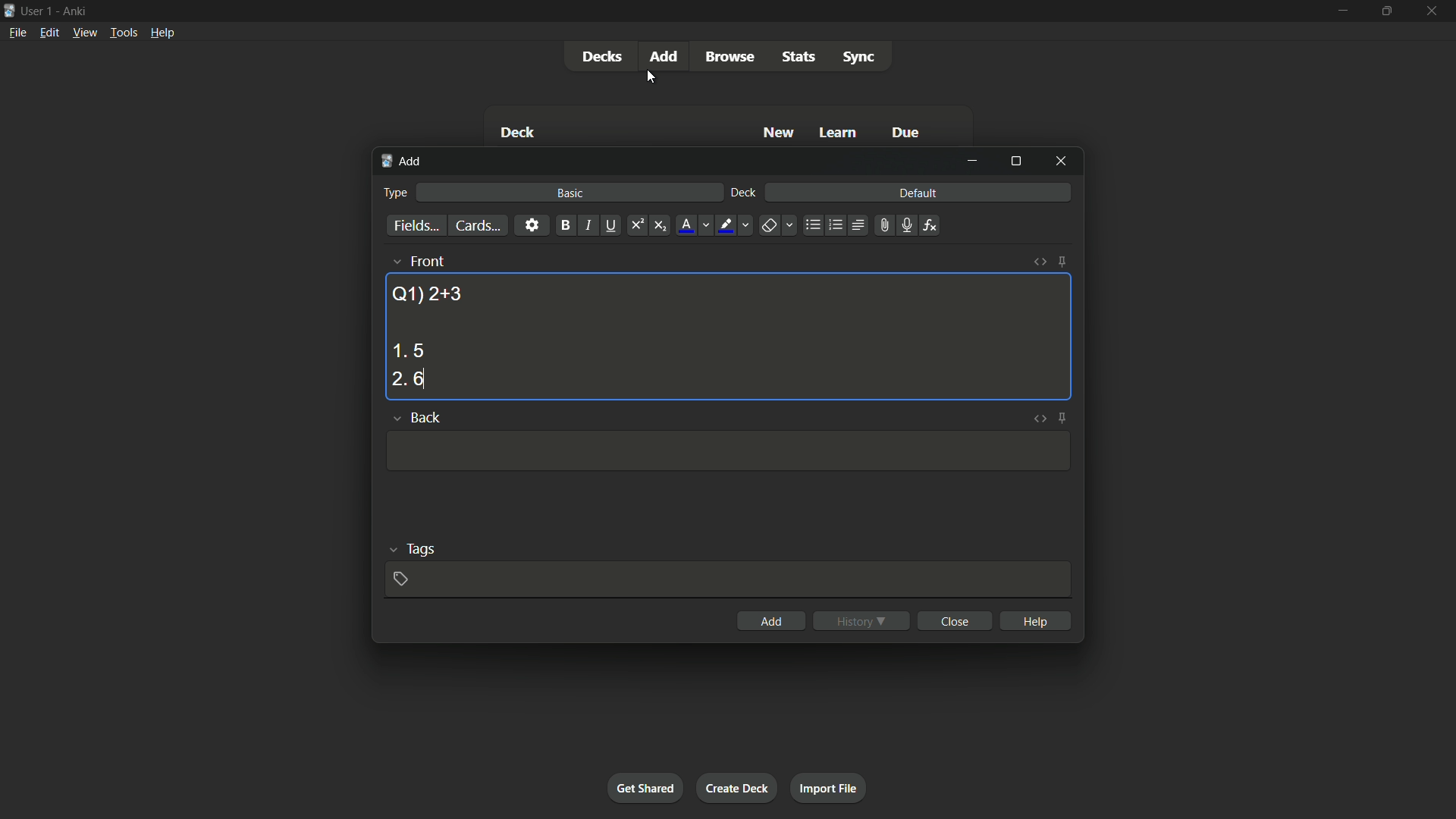 The width and height of the screenshot is (1456, 819). Describe the element at coordinates (1062, 262) in the screenshot. I see `toggle sticky` at that location.